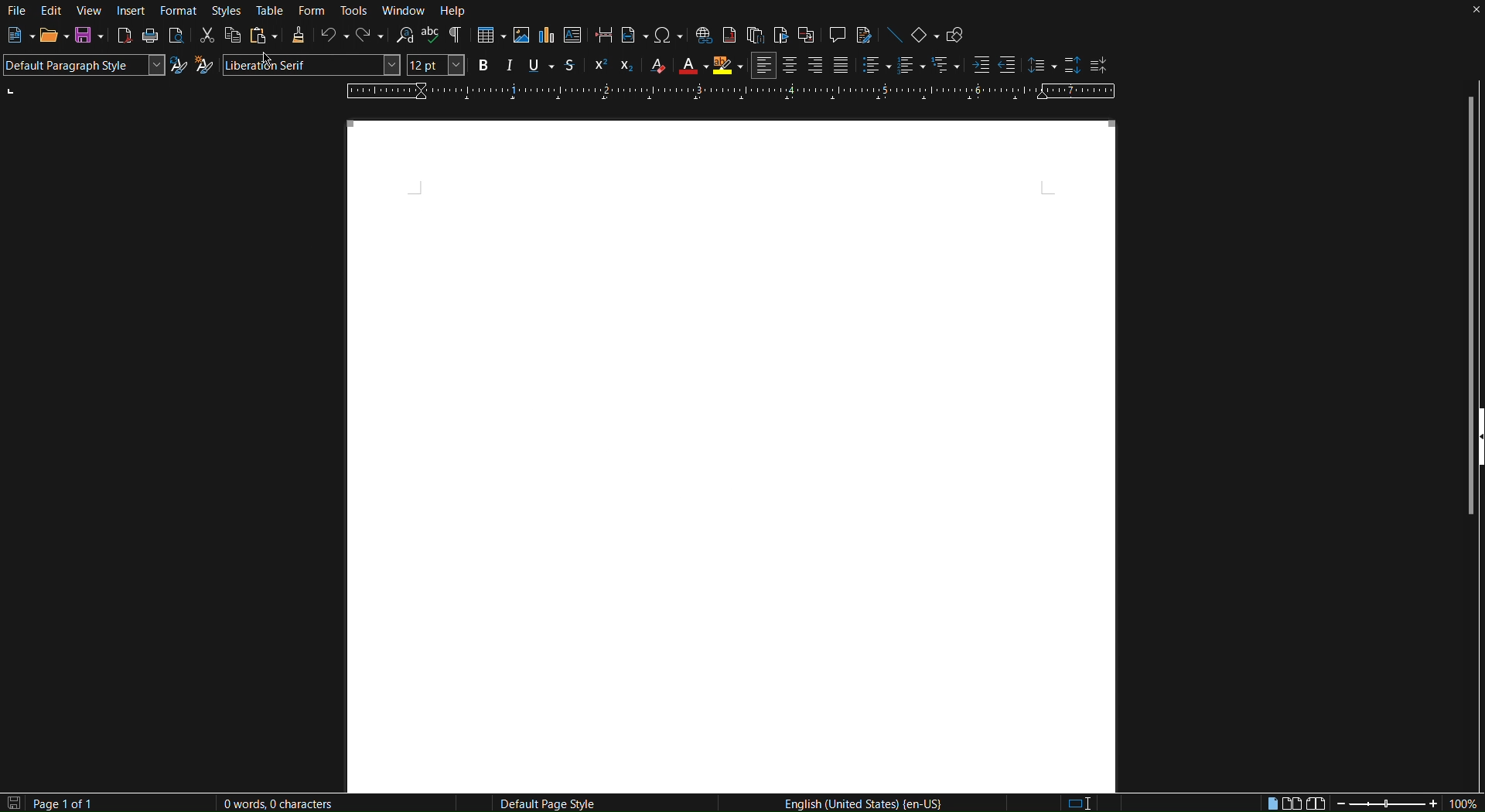 The image size is (1485, 812). Describe the element at coordinates (729, 453) in the screenshot. I see `Canvas` at that location.